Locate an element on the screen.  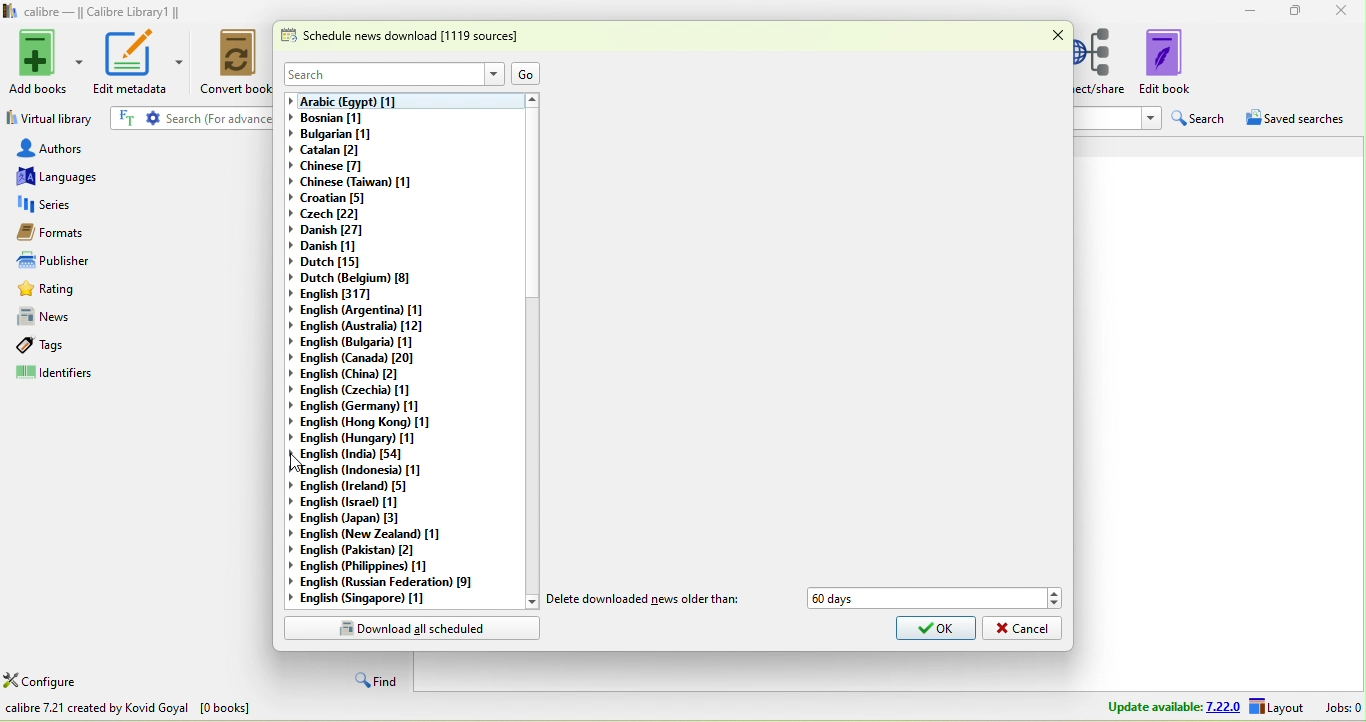
add books is located at coordinates (38, 63).